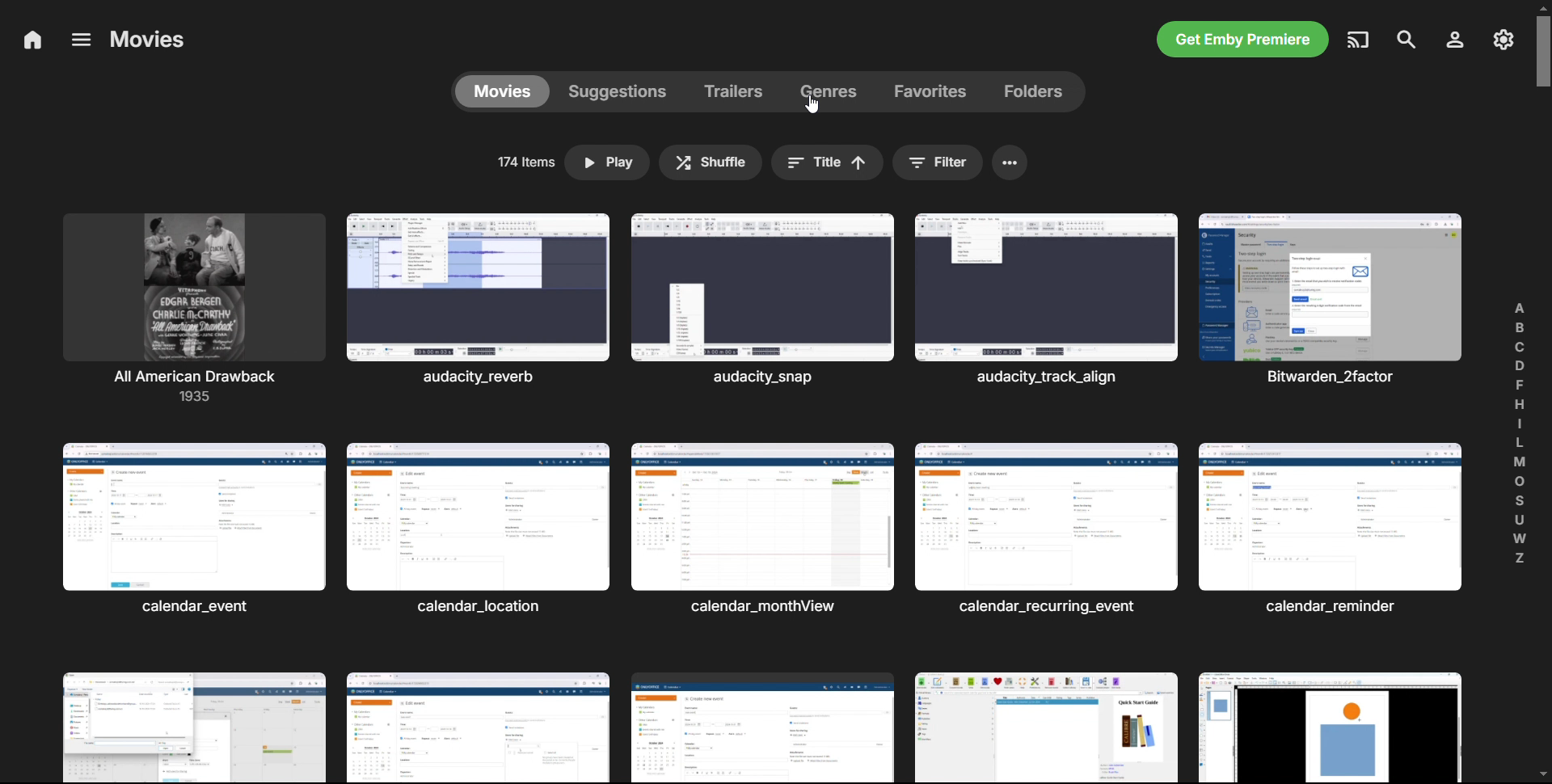 The height and width of the screenshot is (784, 1552). Describe the element at coordinates (32, 41) in the screenshot. I see `home` at that location.